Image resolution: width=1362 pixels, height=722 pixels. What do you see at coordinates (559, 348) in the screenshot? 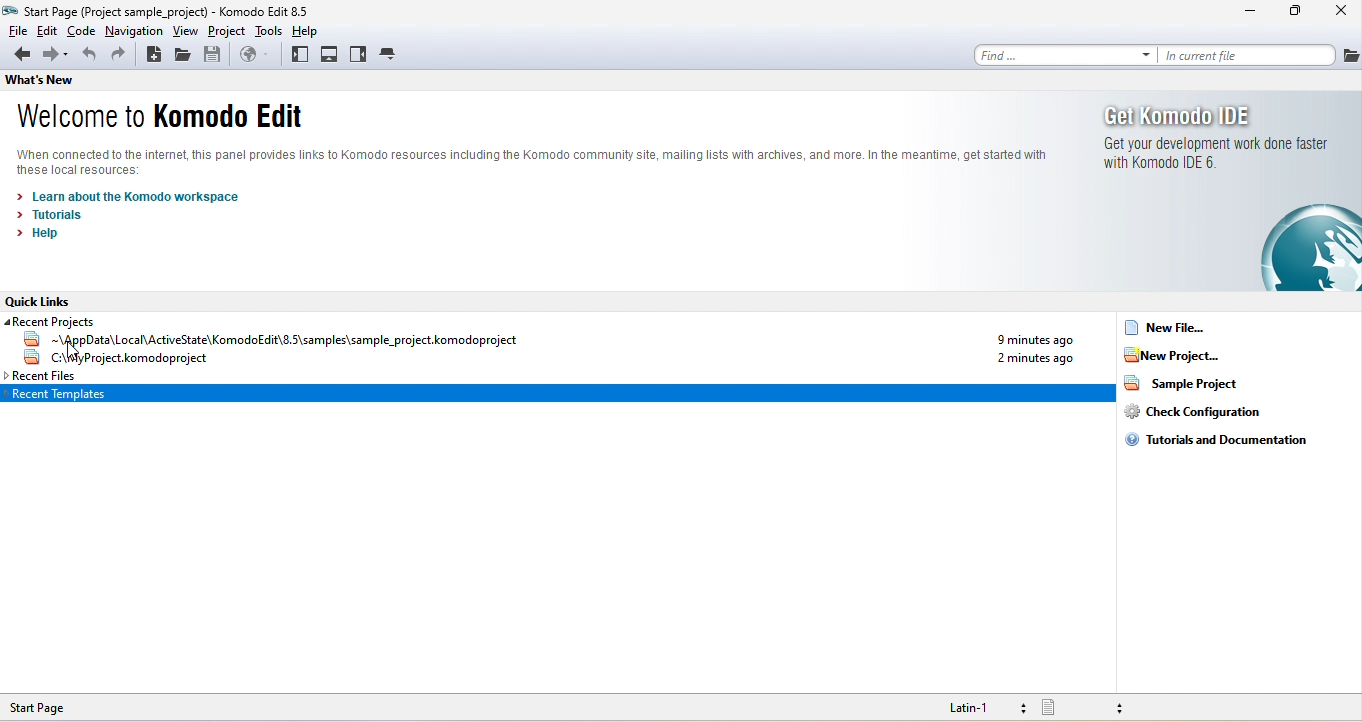
I see `recent project name` at bounding box center [559, 348].